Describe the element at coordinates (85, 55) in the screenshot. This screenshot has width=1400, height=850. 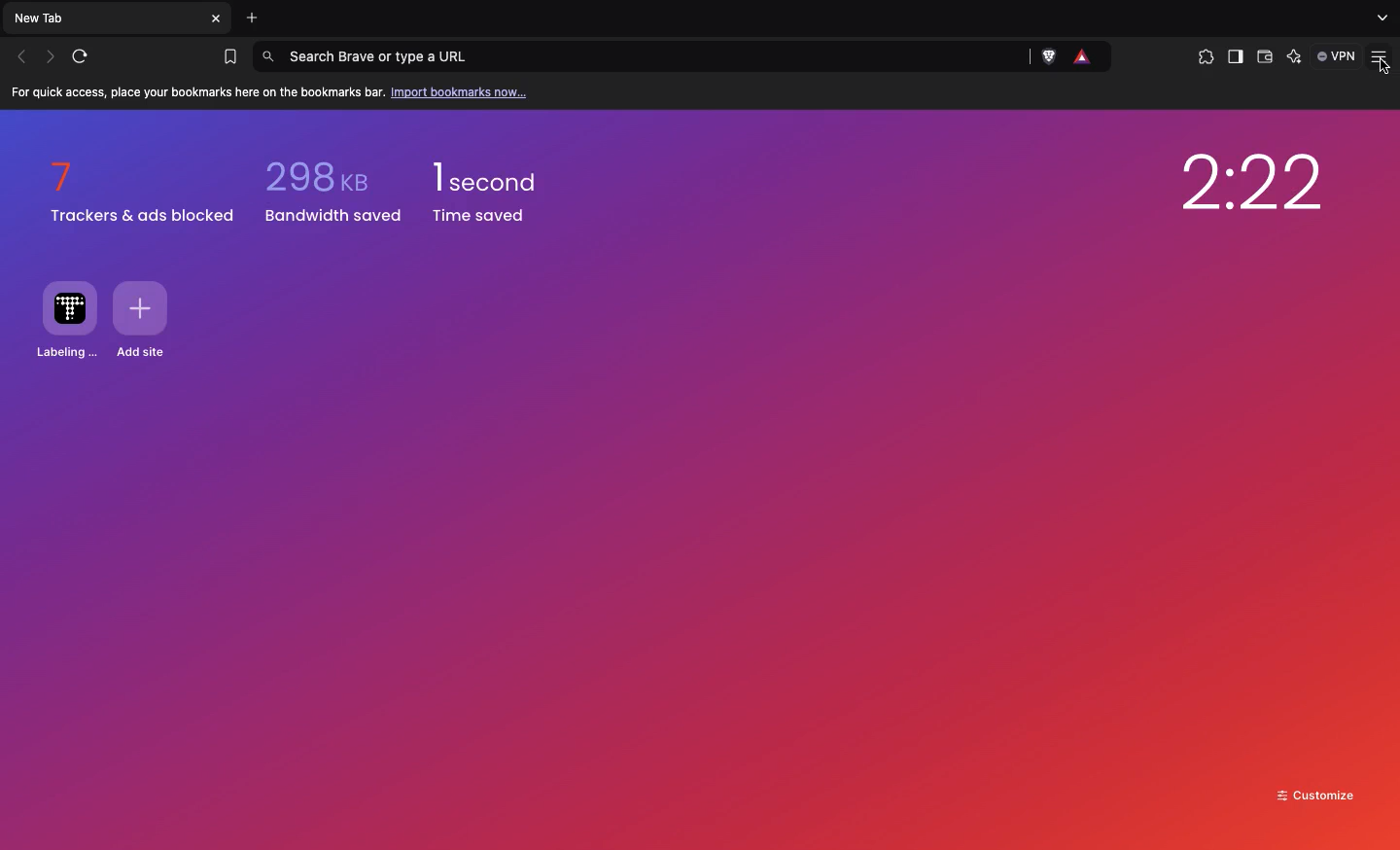
I see `Reload this page` at that location.